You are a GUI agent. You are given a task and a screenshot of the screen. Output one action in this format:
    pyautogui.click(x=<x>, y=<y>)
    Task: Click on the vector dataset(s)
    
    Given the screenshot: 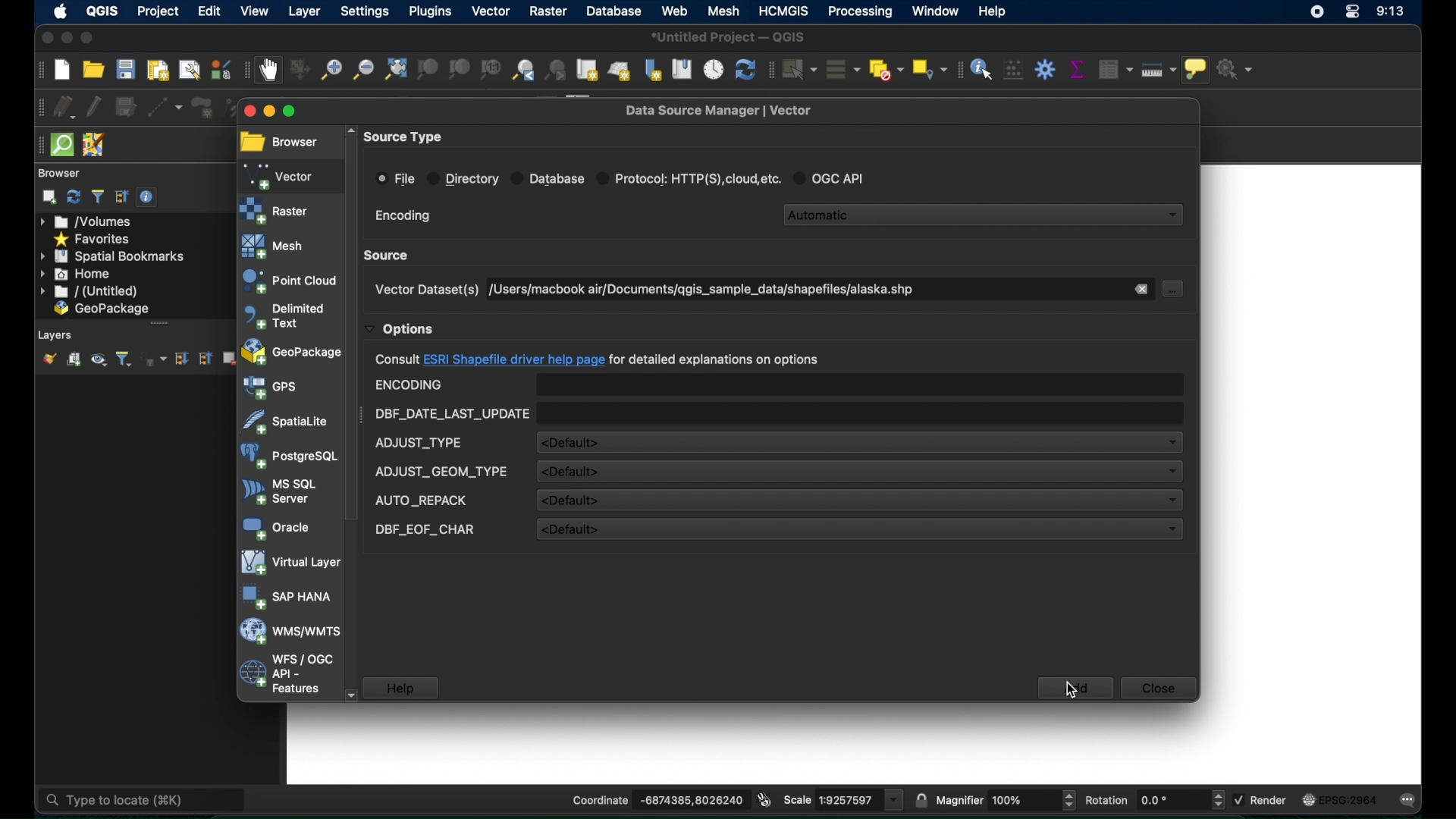 What is the action you would take?
    pyautogui.click(x=425, y=290)
    